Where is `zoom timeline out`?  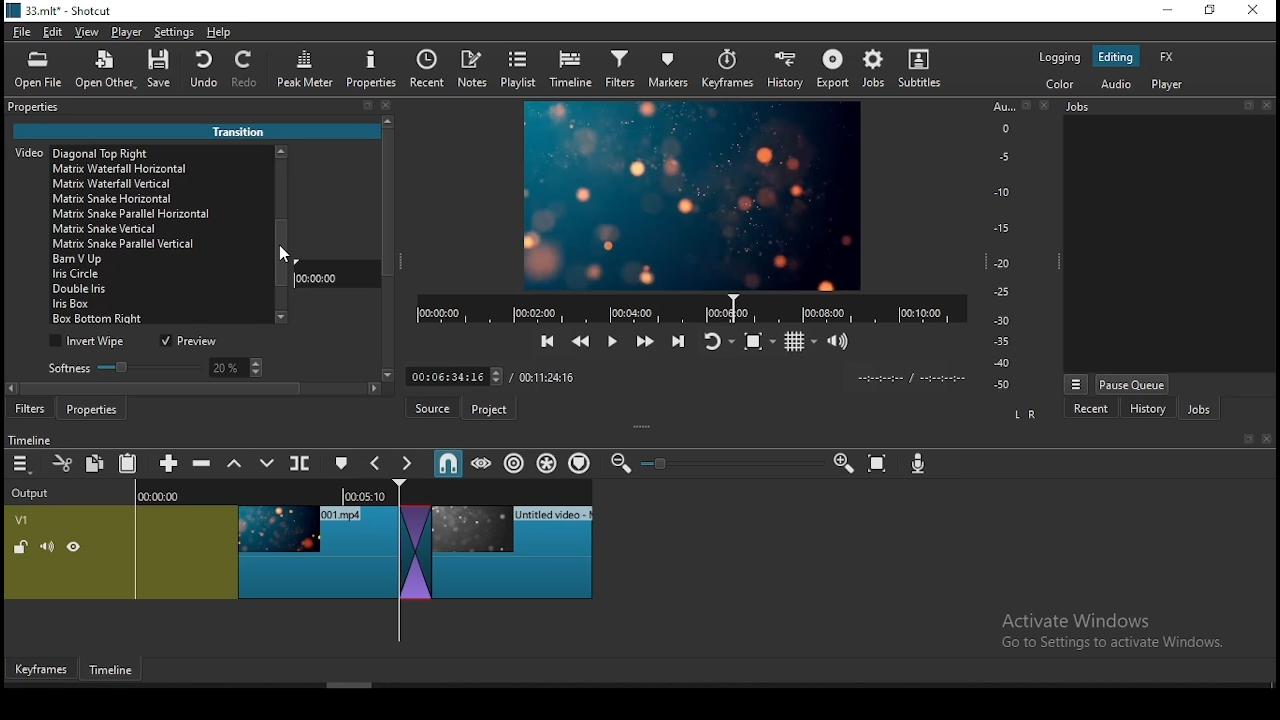
zoom timeline out is located at coordinates (618, 464).